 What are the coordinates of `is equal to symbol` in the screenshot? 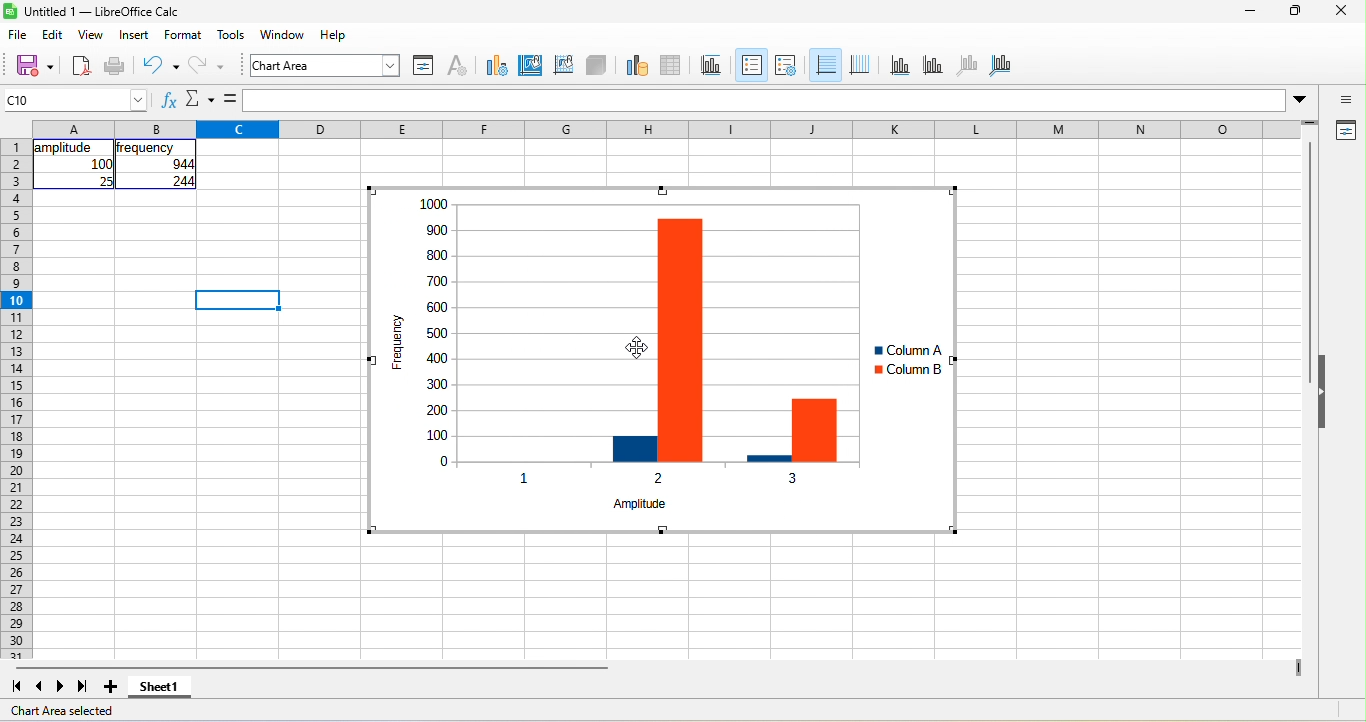 It's located at (230, 99).